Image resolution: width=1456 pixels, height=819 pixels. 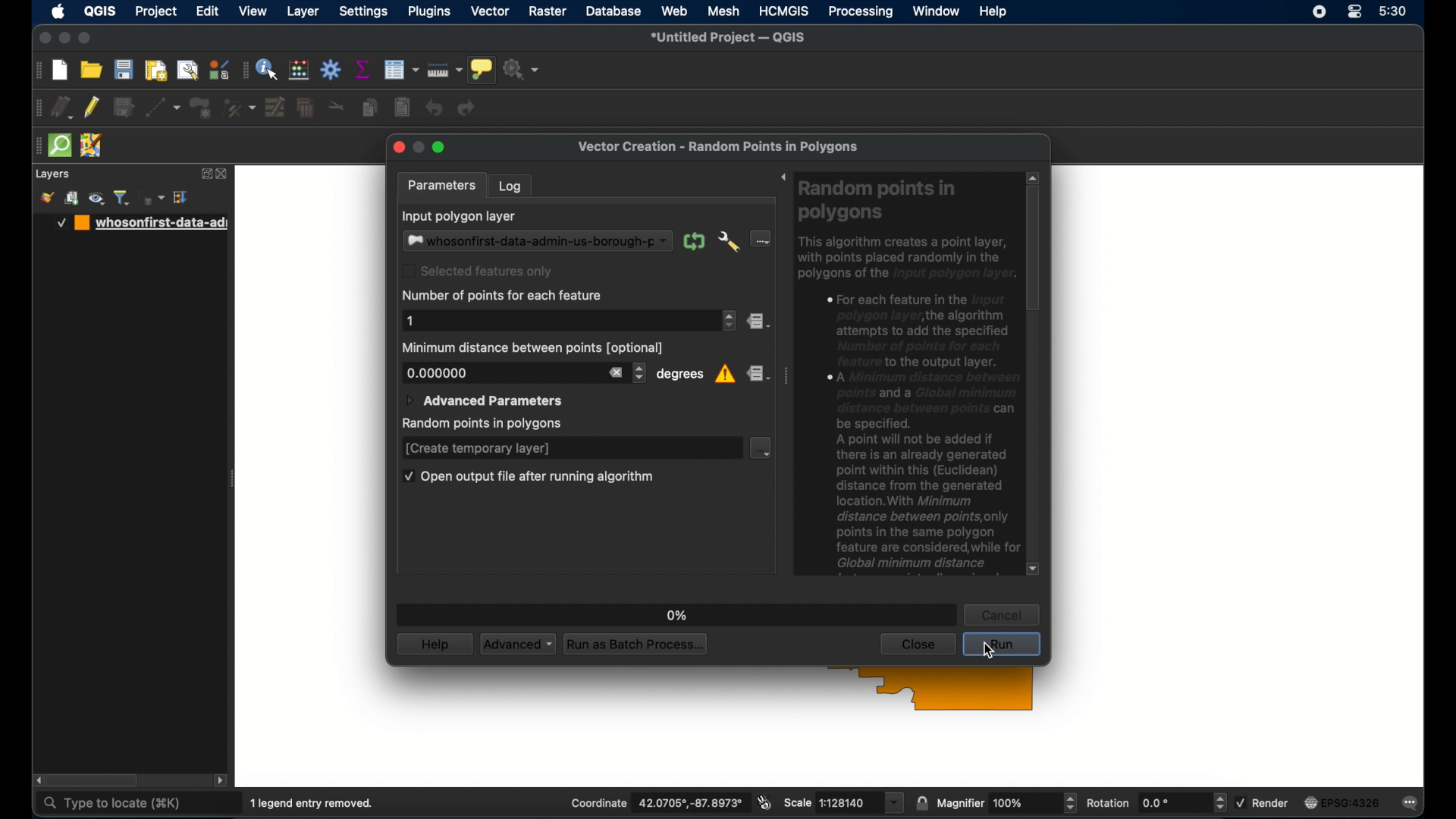 I want to click on QGIS, so click(x=100, y=11).